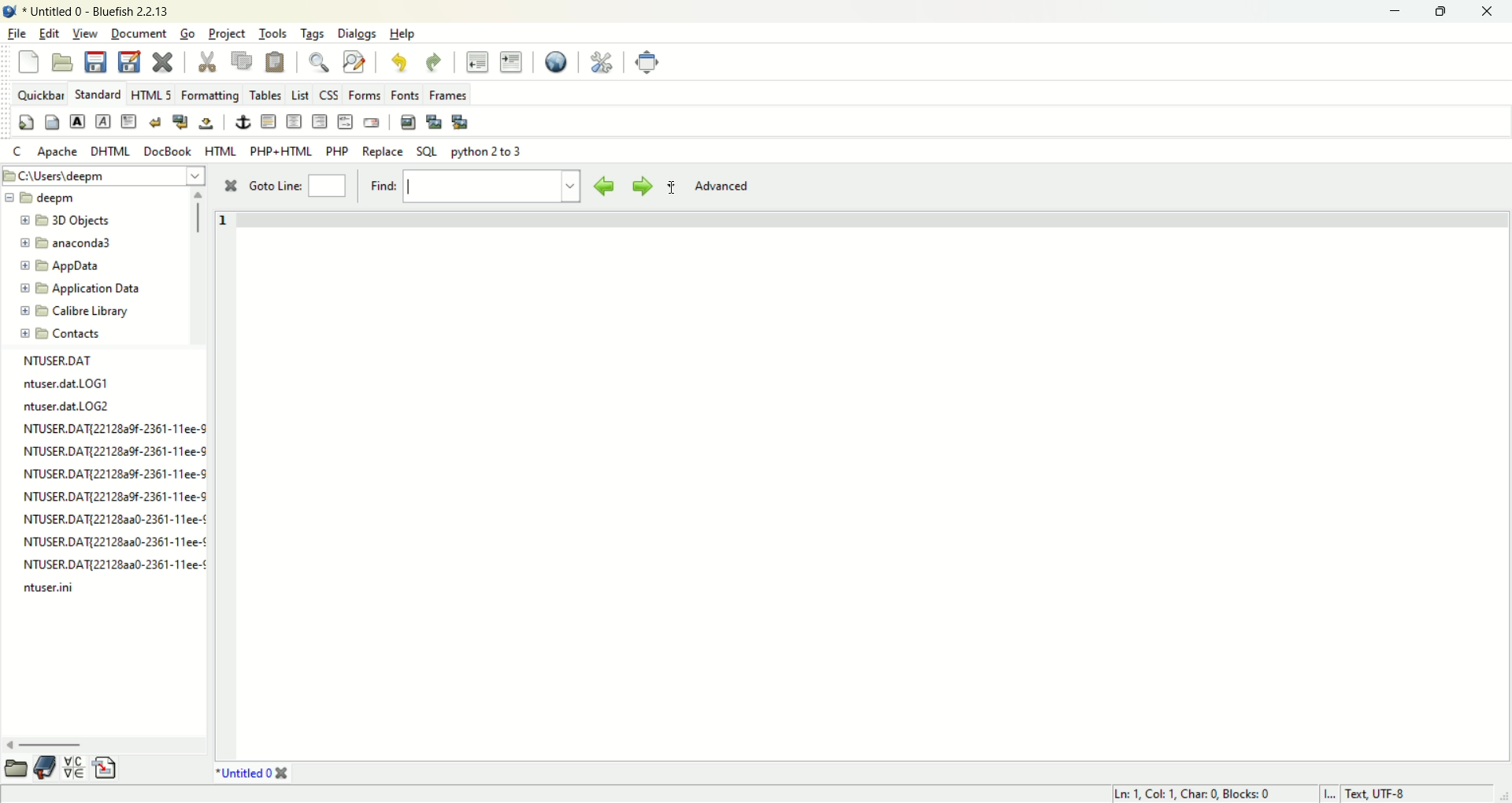 The height and width of the screenshot is (803, 1512). What do you see at coordinates (1385, 794) in the screenshot?
I see `text, UTF-8` at bounding box center [1385, 794].